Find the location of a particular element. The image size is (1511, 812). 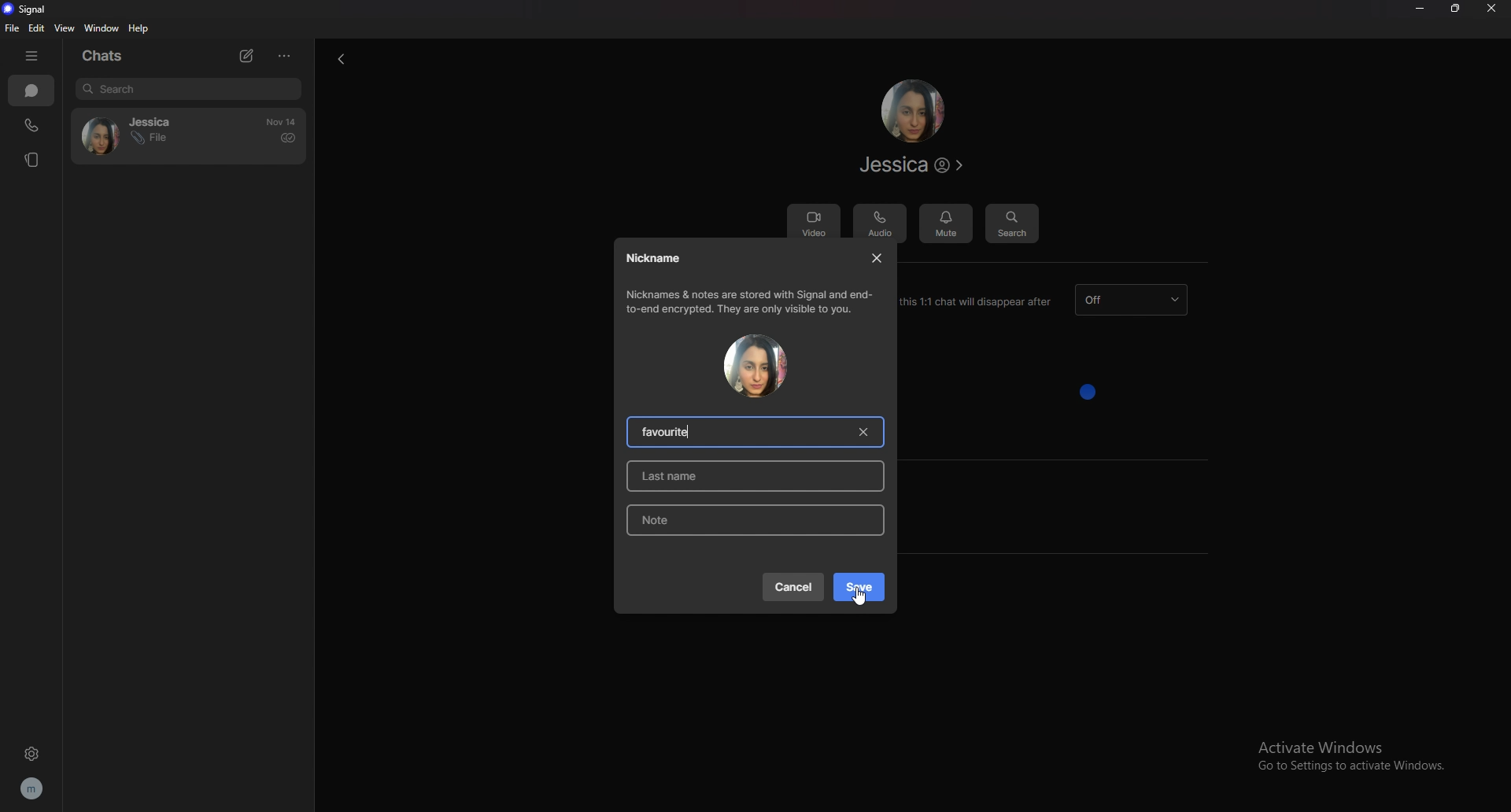

help is located at coordinates (138, 29).